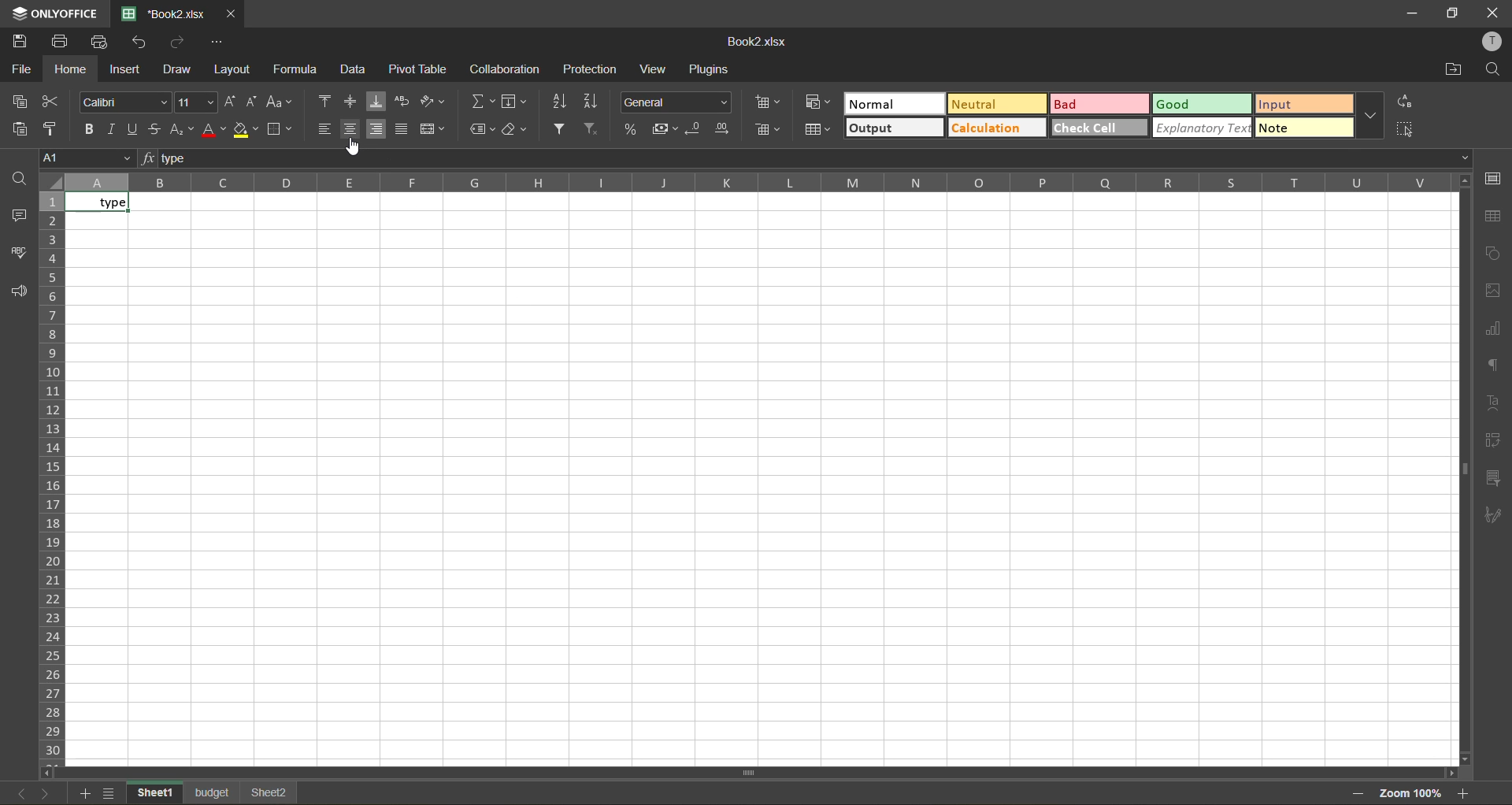 The height and width of the screenshot is (805, 1512). What do you see at coordinates (1411, 129) in the screenshot?
I see `select all` at bounding box center [1411, 129].